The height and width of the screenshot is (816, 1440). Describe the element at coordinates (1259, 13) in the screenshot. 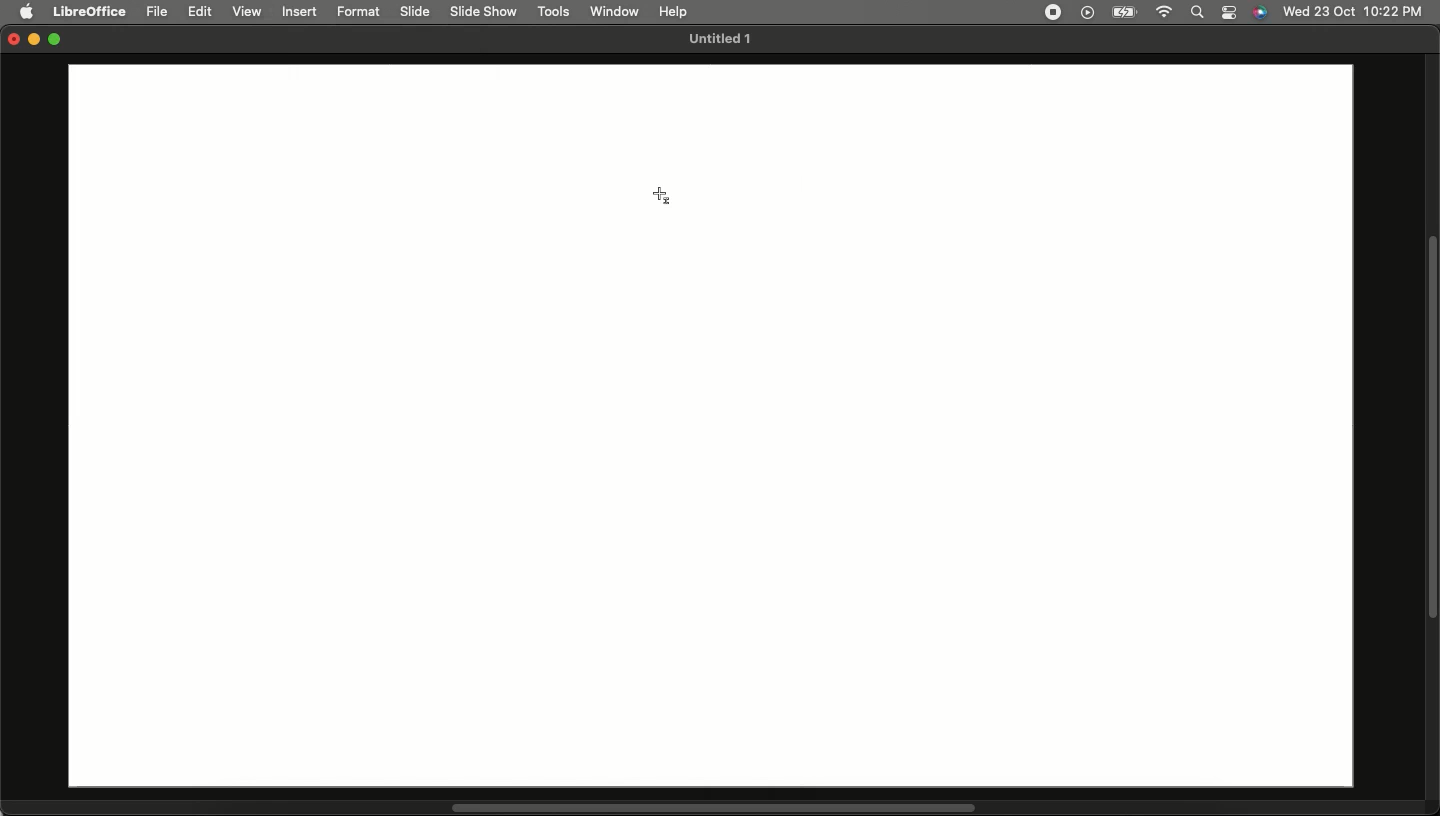

I see `Voice control` at that location.